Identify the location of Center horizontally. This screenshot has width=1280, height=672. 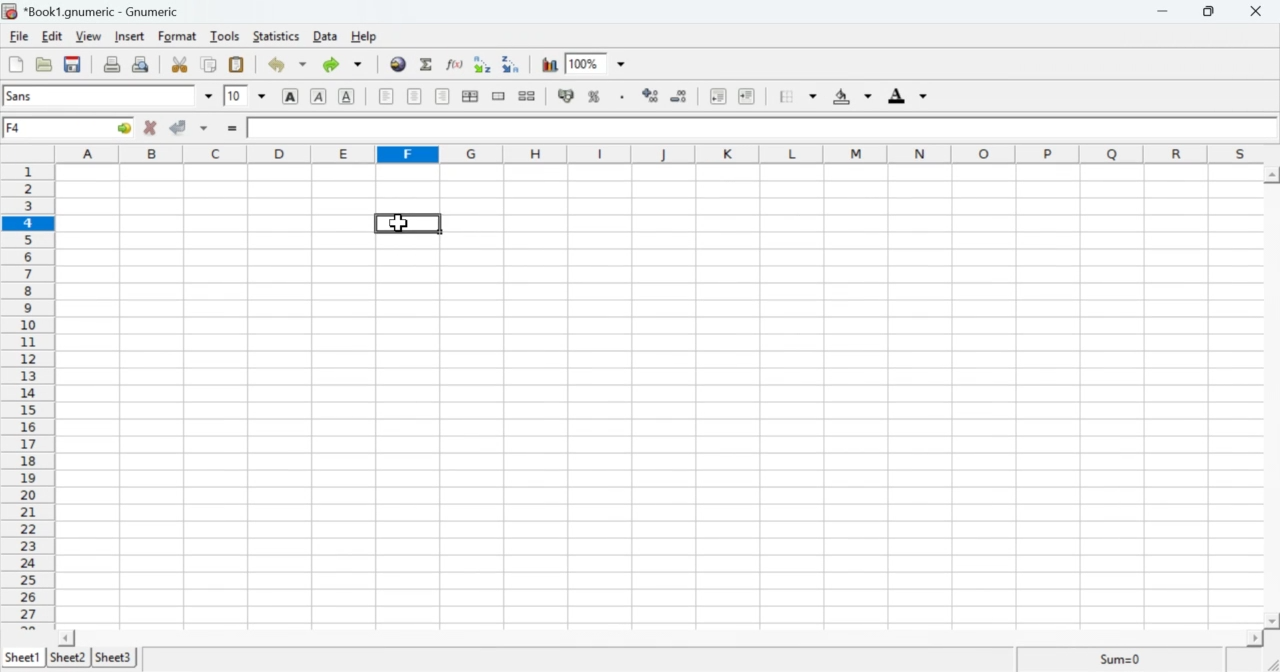
(415, 96).